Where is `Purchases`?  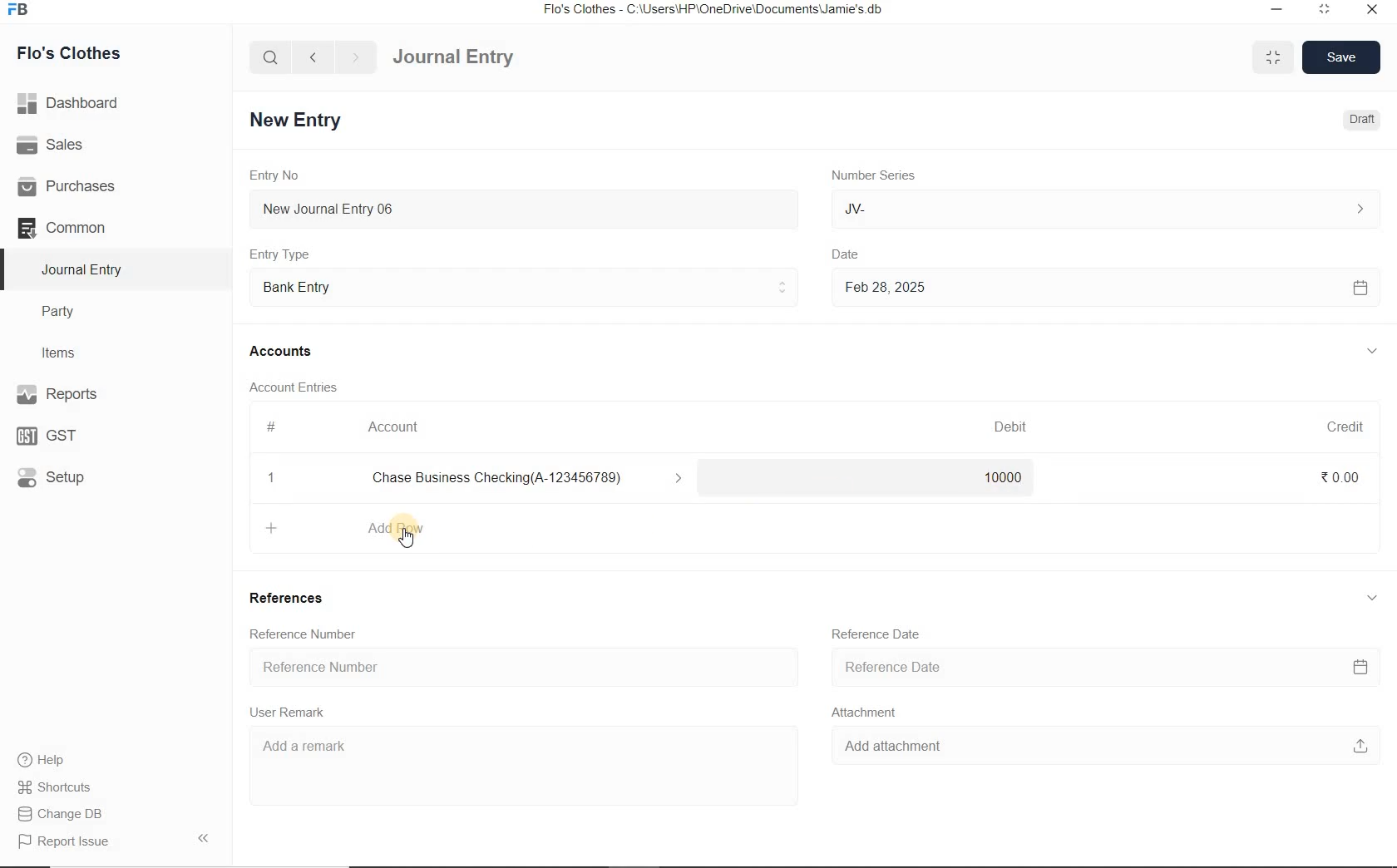 Purchases is located at coordinates (74, 185).